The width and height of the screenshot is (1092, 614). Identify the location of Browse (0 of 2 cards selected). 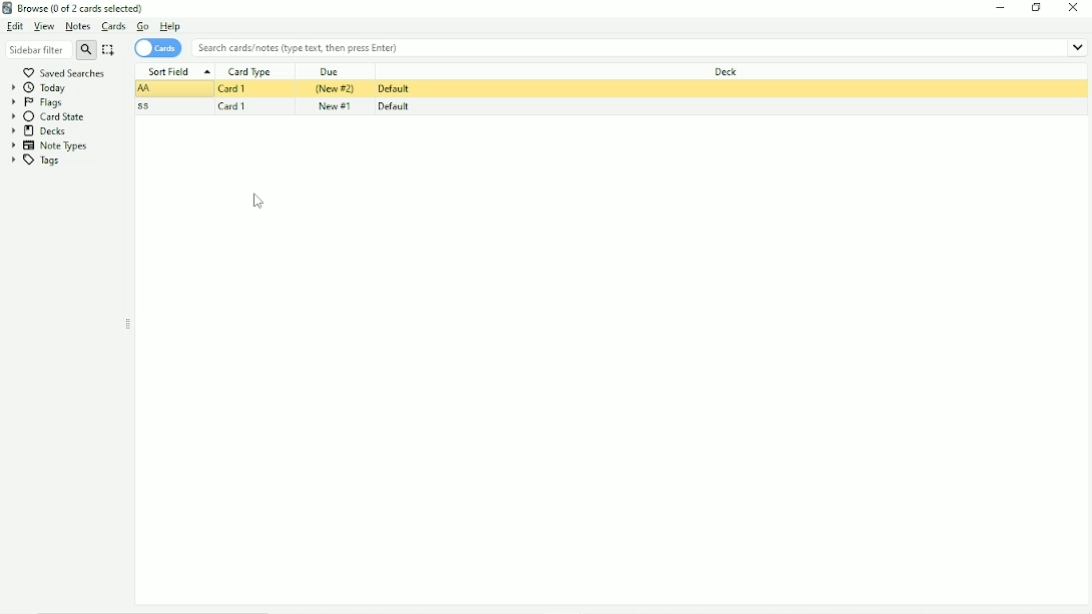
(76, 8).